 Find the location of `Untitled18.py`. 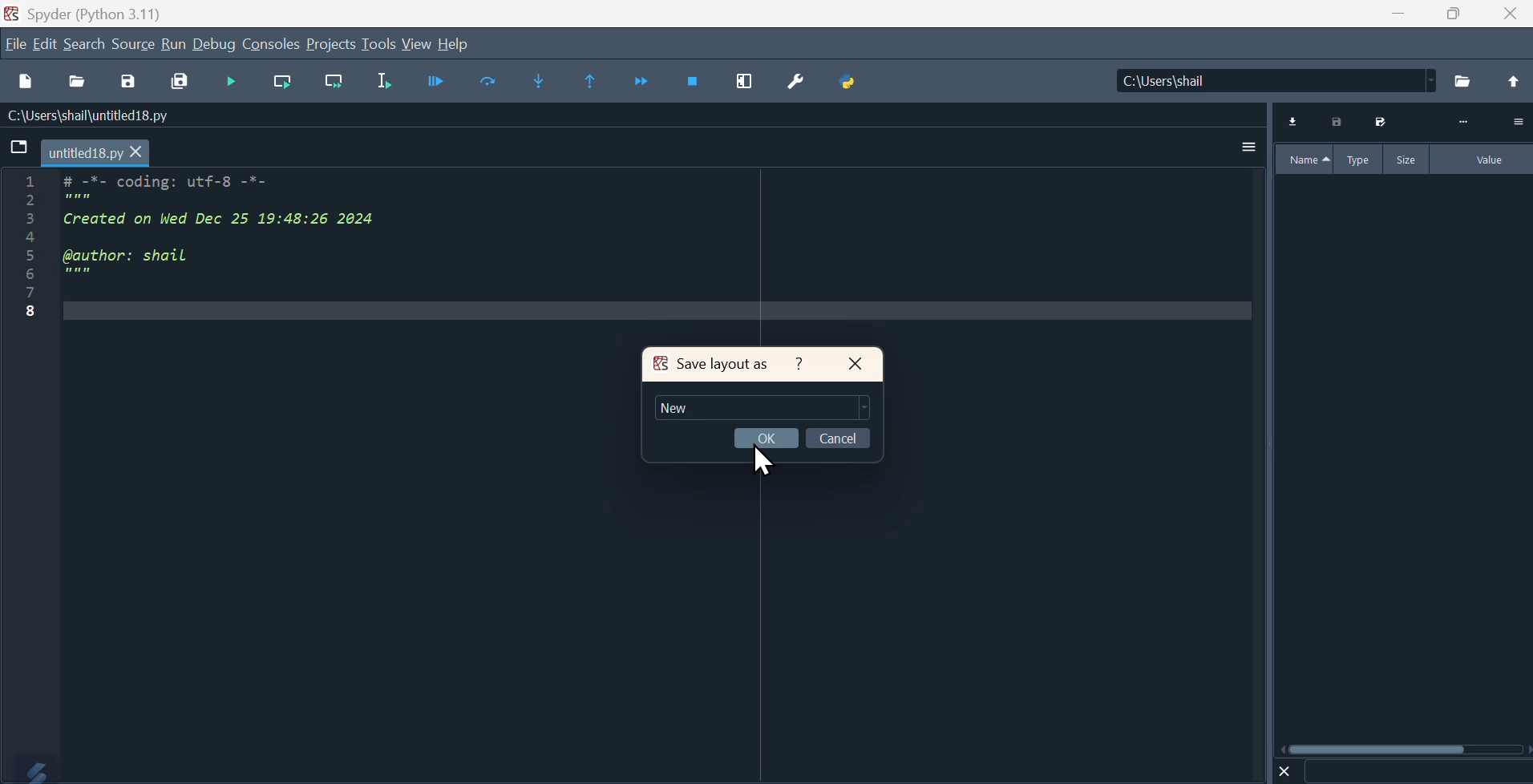

Untitled18.py is located at coordinates (96, 154).